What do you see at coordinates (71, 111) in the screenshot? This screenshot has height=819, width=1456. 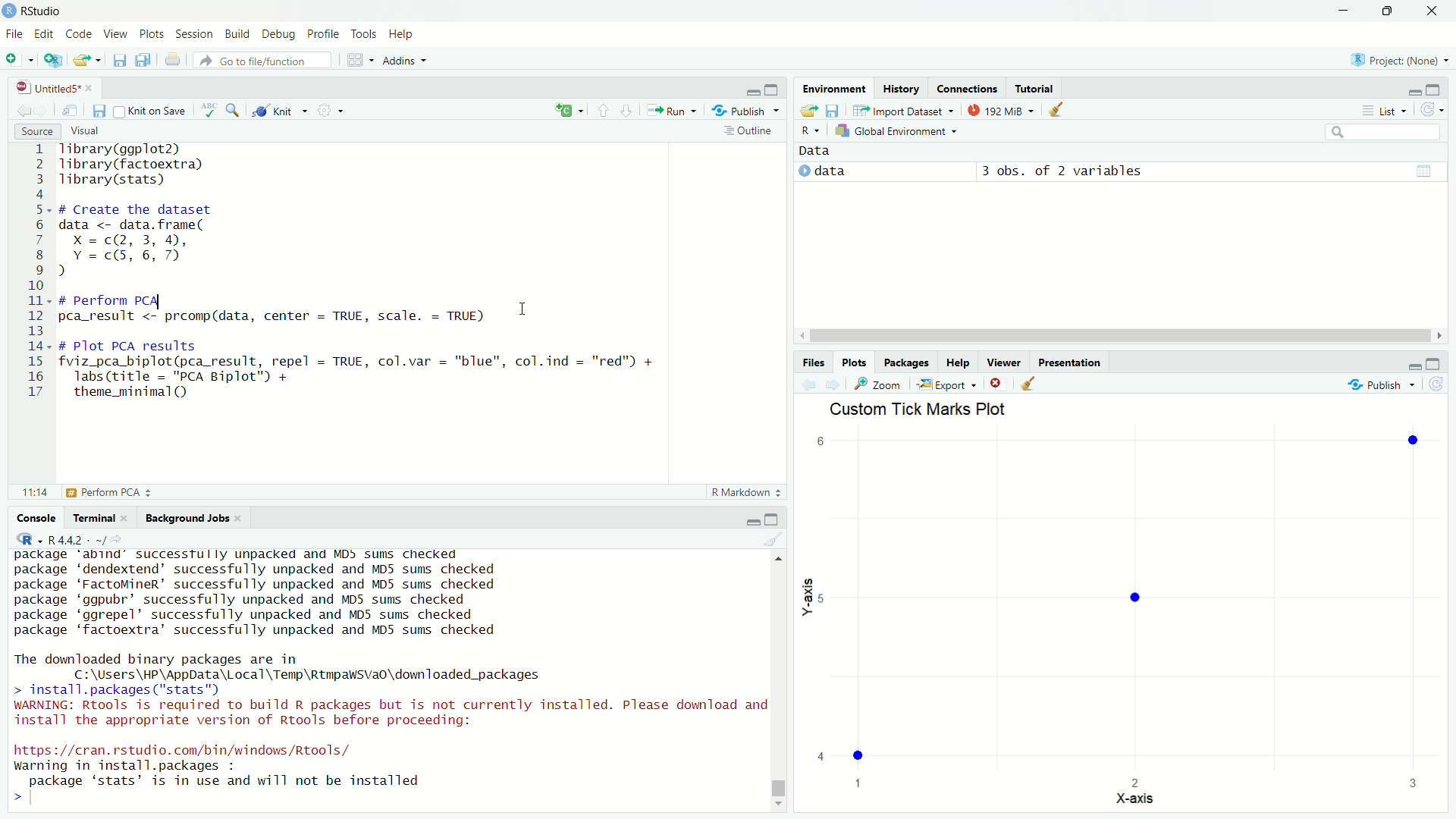 I see `show in new window` at bounding box center [71, 111].